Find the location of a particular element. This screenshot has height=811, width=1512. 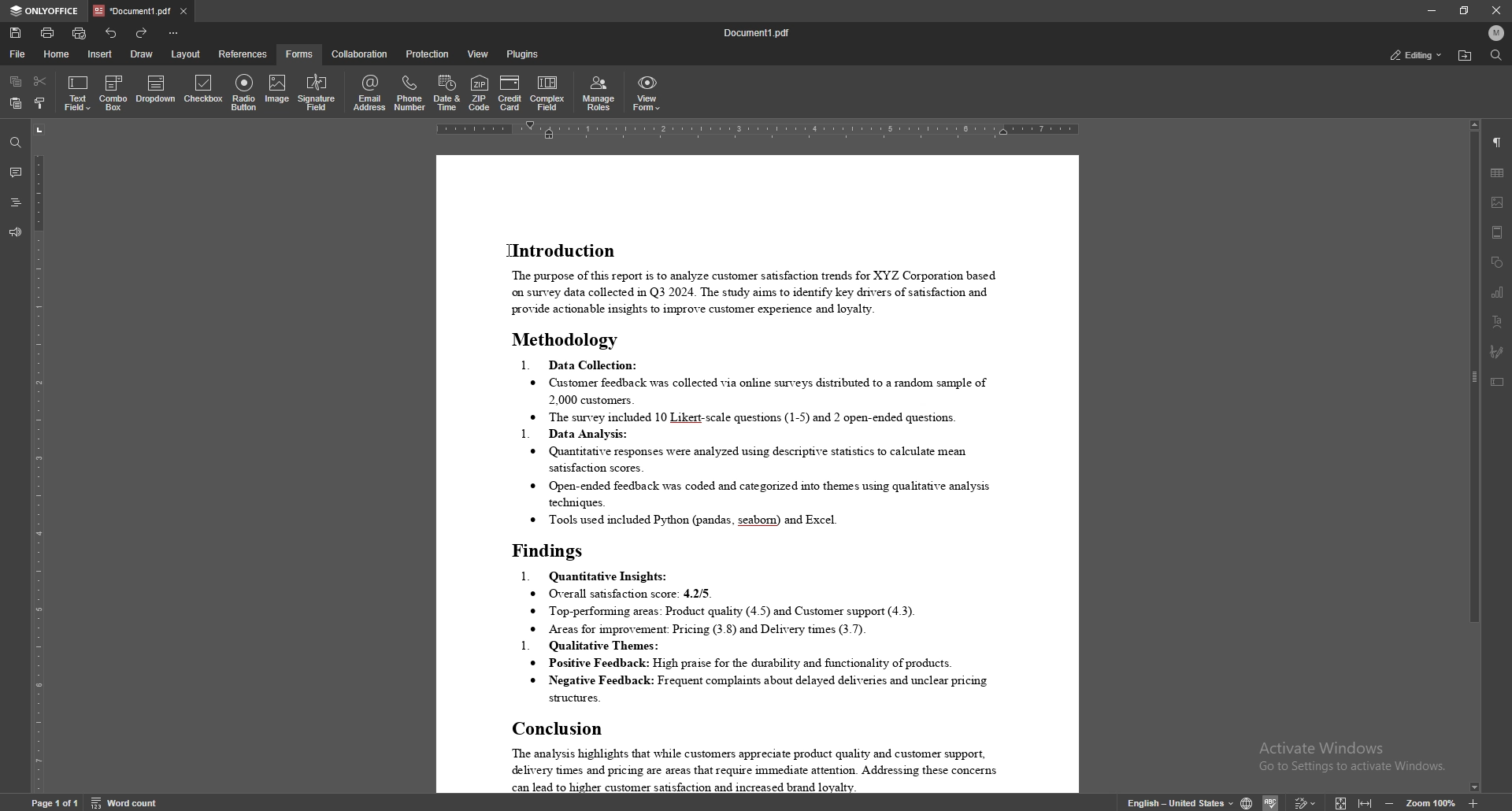

feedback is located at coordinates (16, 232).